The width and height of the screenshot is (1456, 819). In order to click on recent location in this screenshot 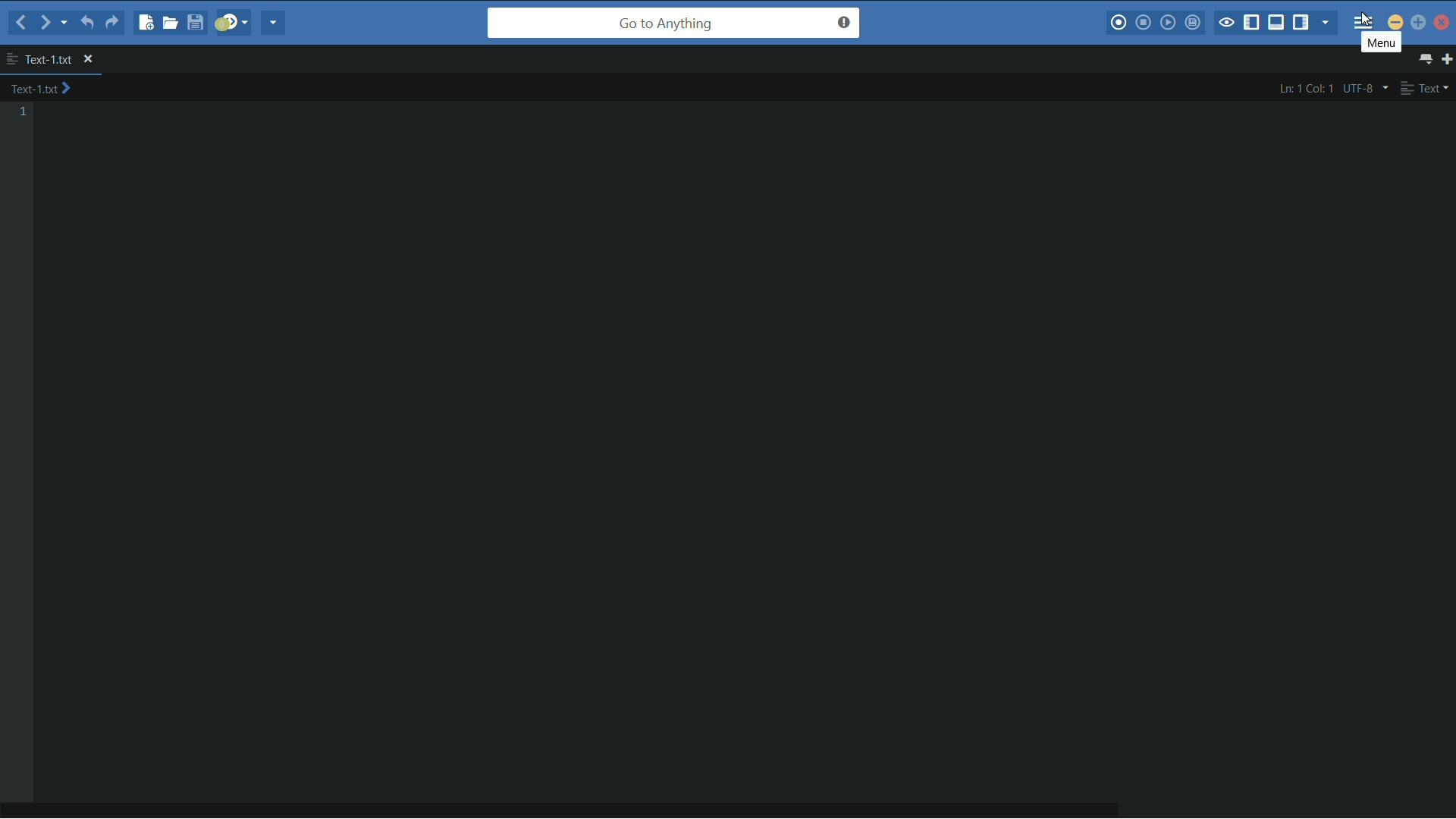, I will do `click(62, 25)`.